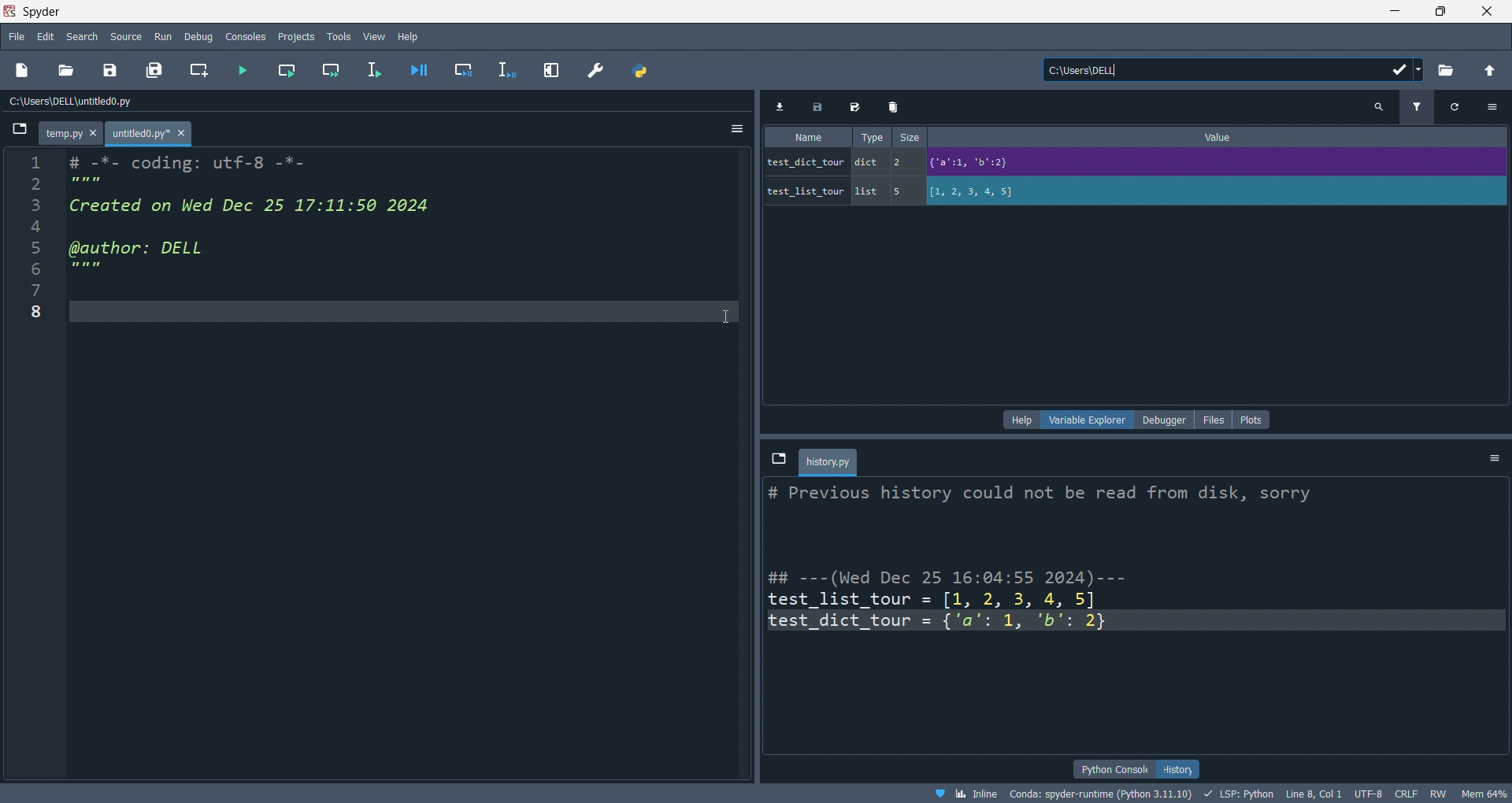 This screenshot has width=1512, height=803. Describe the element at coordinates (295, 35) in the screenshot. I see `projects` at that location.